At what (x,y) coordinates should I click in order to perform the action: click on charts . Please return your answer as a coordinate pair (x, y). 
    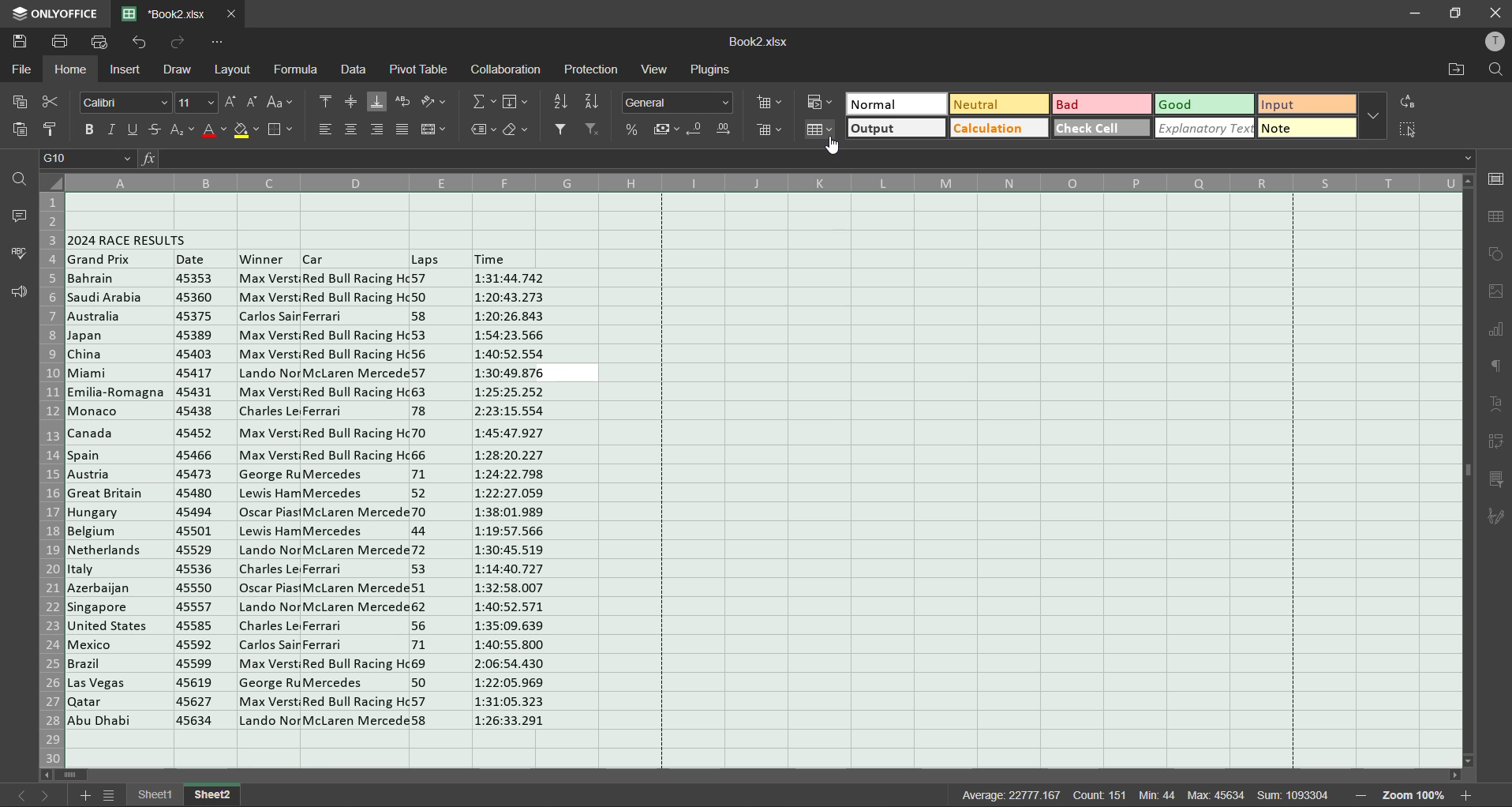
    Looking at the image, I should click on (1496, 330).